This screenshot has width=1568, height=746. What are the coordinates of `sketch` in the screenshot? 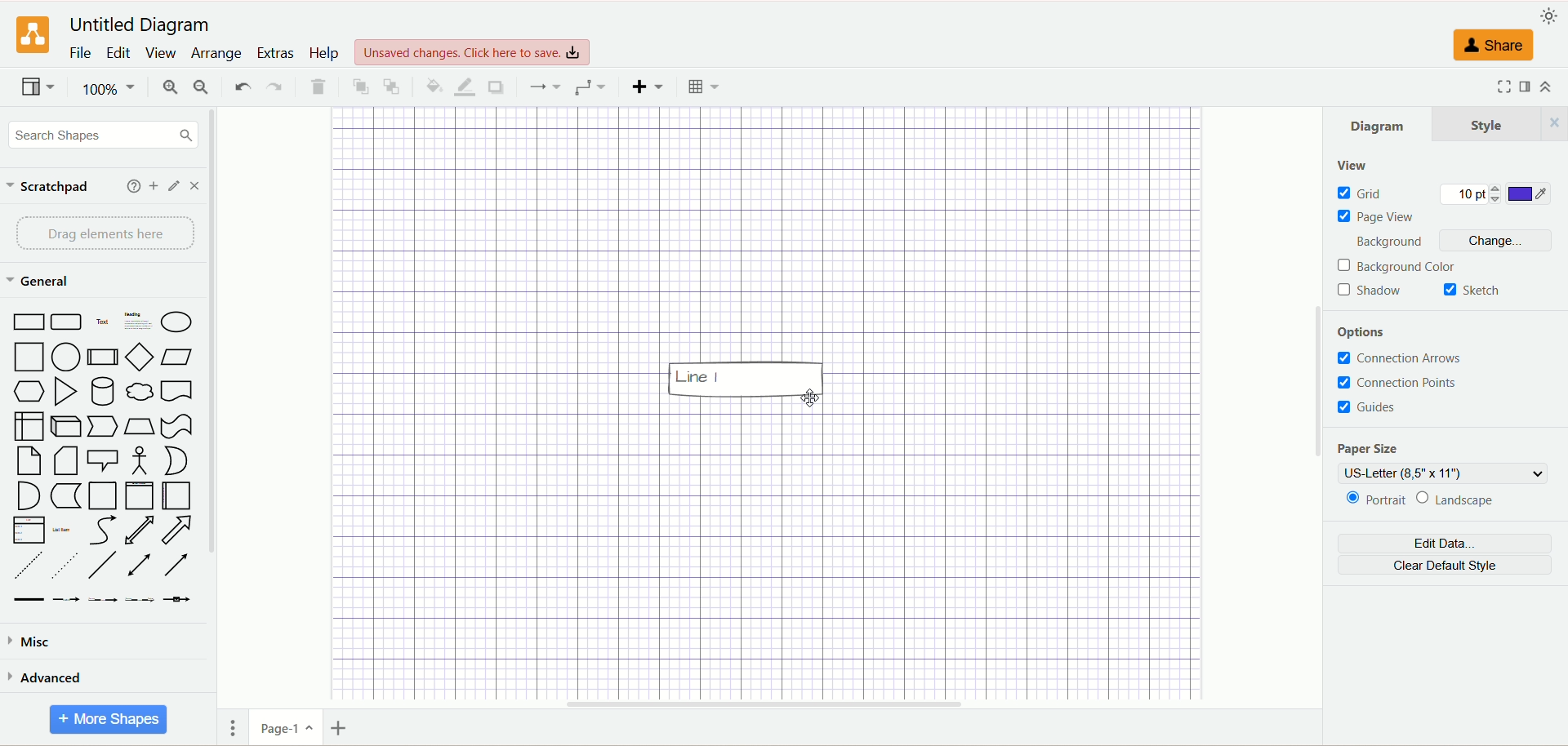 It's located at (1469, 288).